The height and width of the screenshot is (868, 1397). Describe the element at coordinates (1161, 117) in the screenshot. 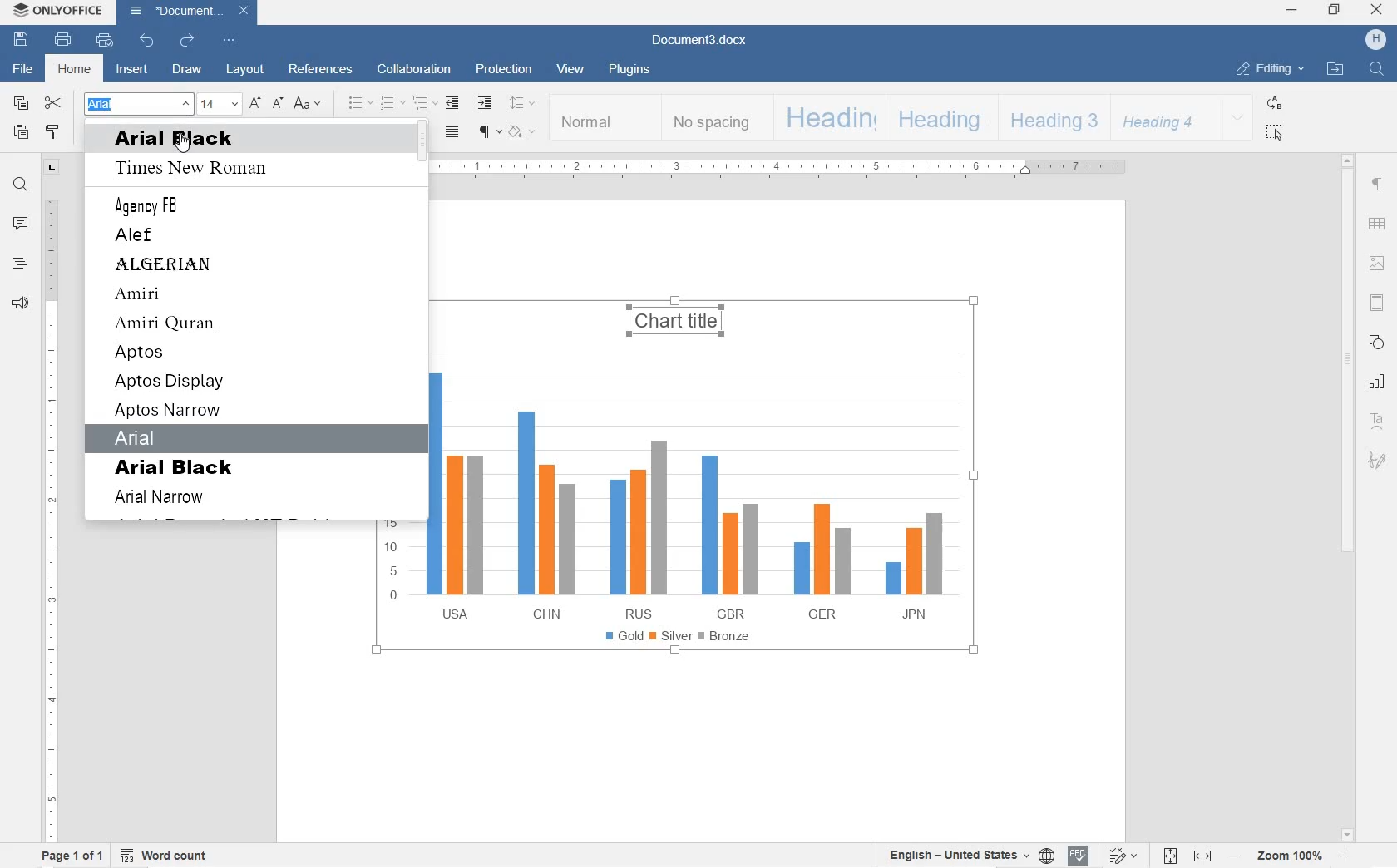

I see `HEADING 4` at that location.